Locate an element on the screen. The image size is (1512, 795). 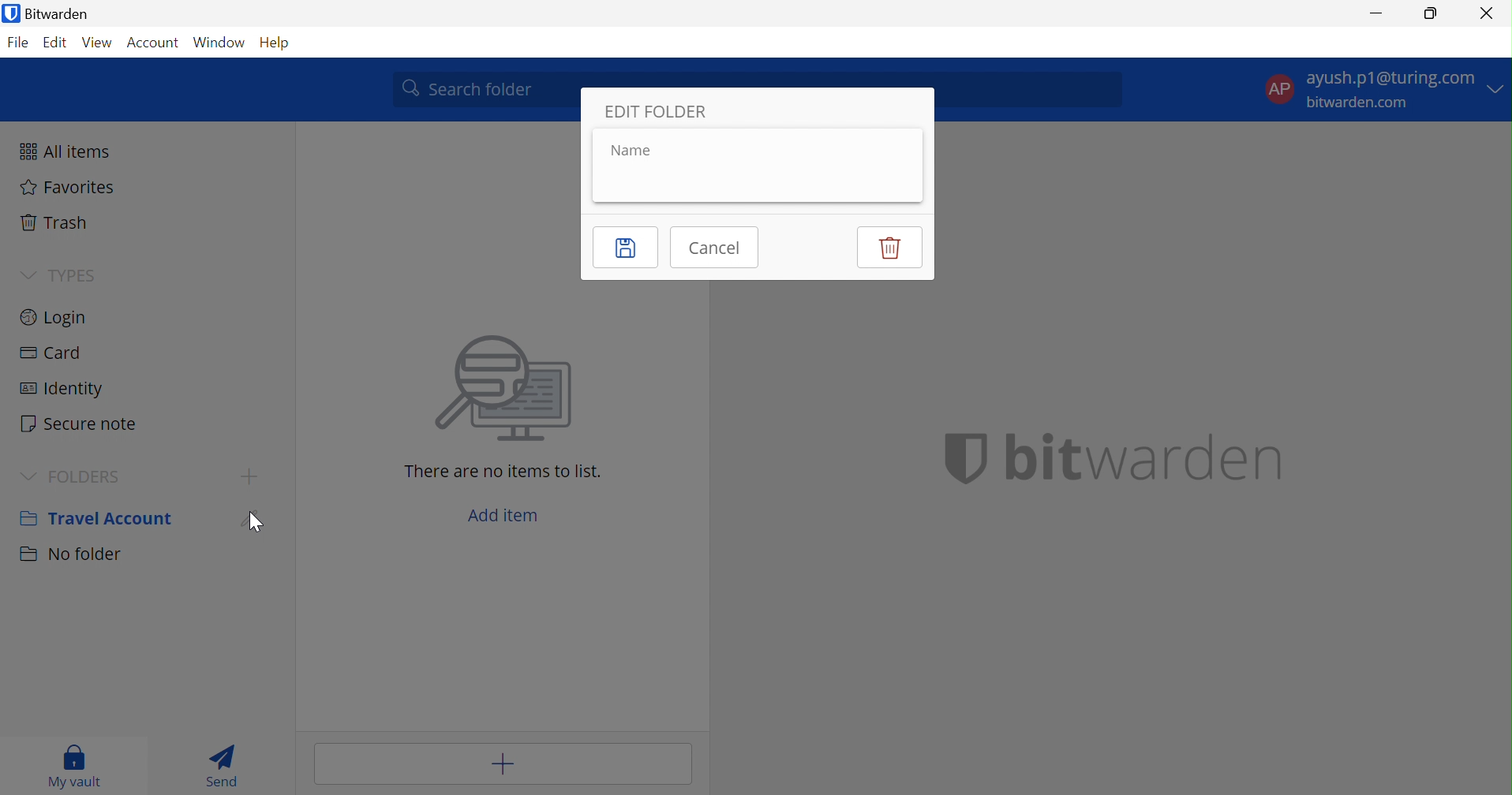
Bitwarden is located at coordinates (51, 14).